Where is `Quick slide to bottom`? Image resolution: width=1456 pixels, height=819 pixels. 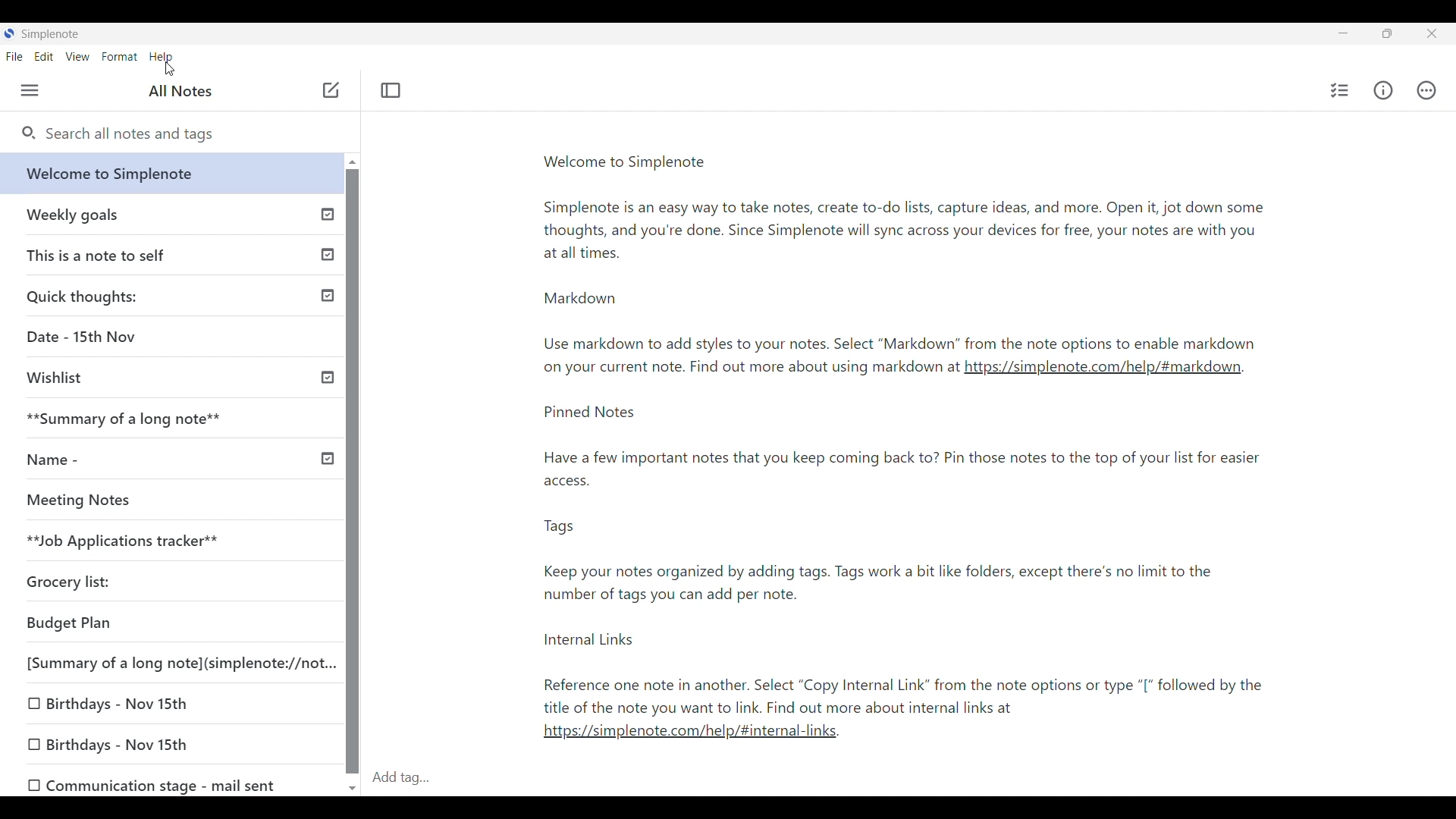
Quick slide to bottom is located at coordinates (353, 789).